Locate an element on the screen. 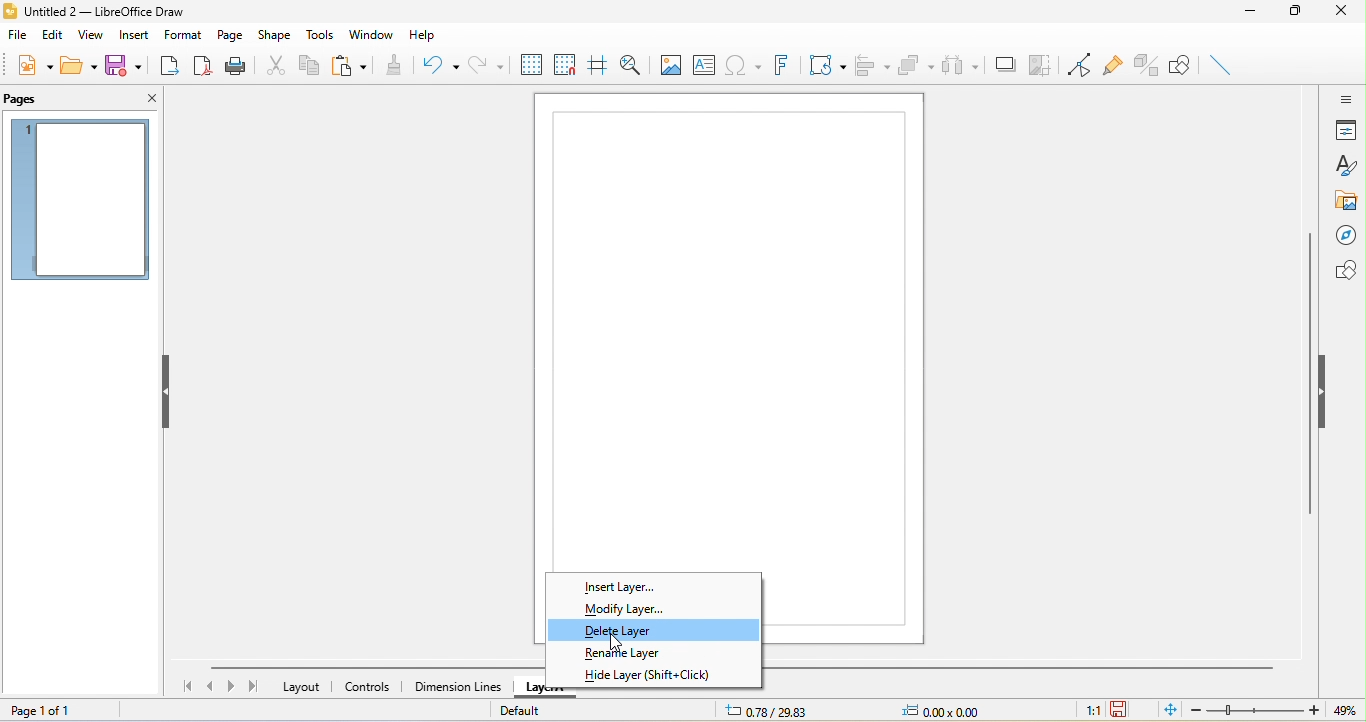  image is located at coordinates (670, 66).